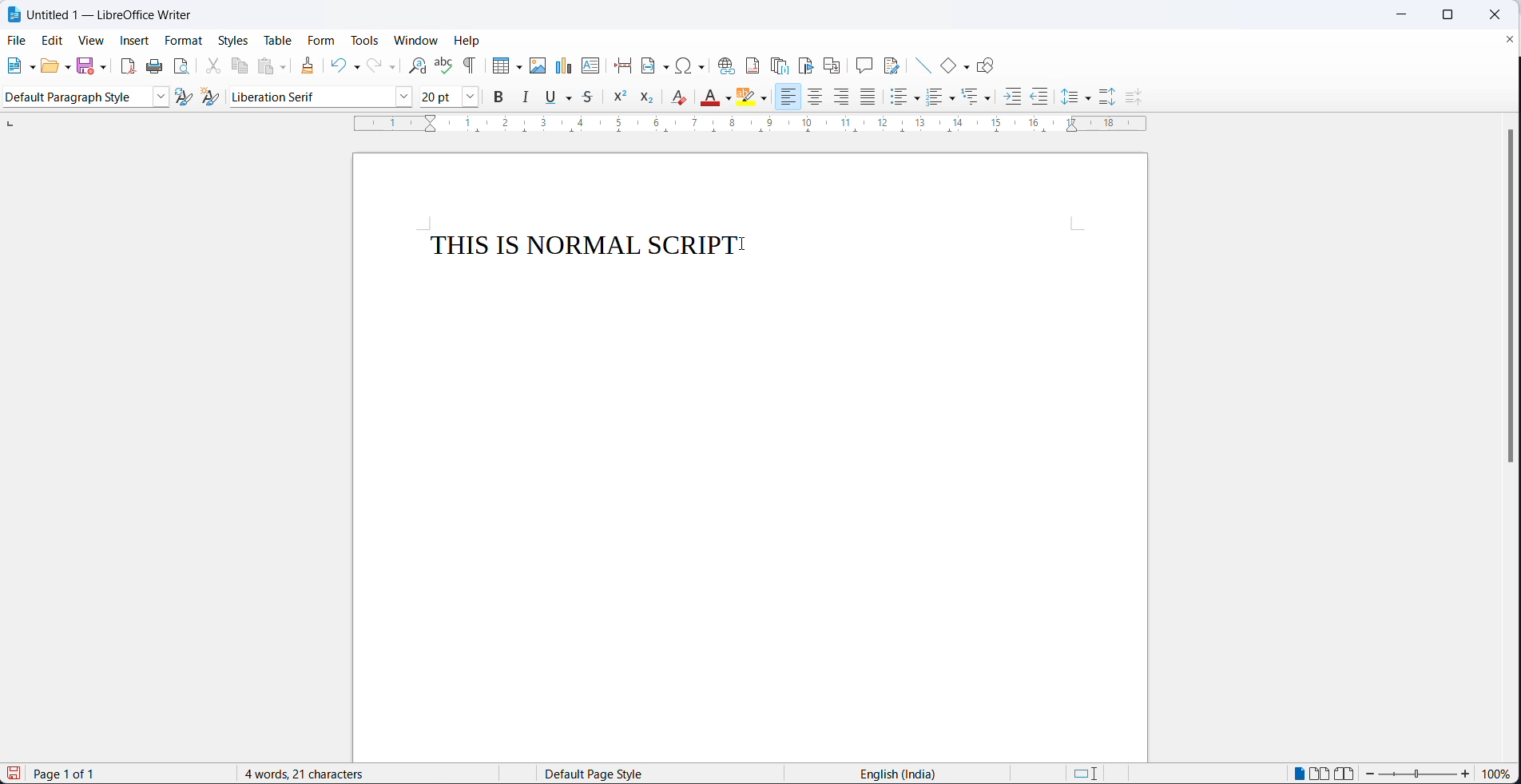 Image resolution: width=1521 pixels, height=784 pixels. I want to click on text align center, so click(818, 97).